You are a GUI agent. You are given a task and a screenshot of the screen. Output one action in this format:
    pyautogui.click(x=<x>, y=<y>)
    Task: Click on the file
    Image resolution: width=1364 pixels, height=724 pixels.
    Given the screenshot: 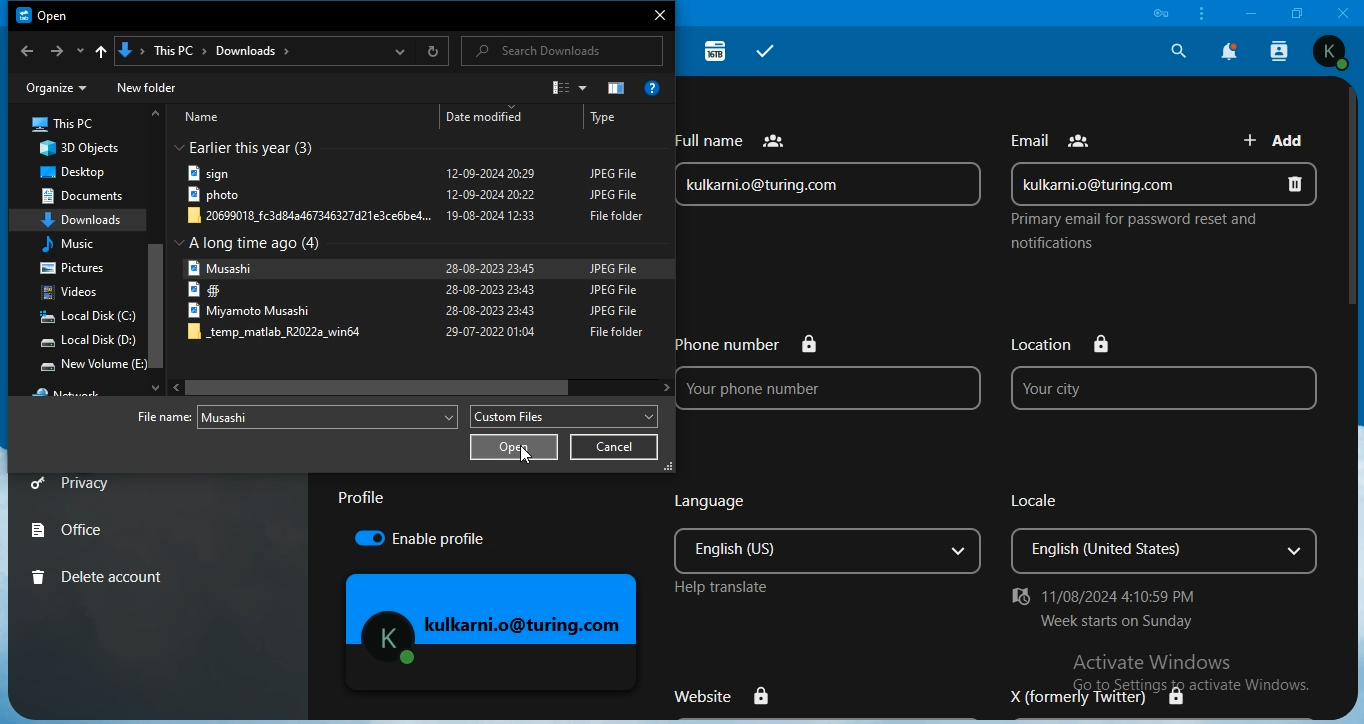 What is the action you would take?
    pyautogui.click(x=328, y=416)
    